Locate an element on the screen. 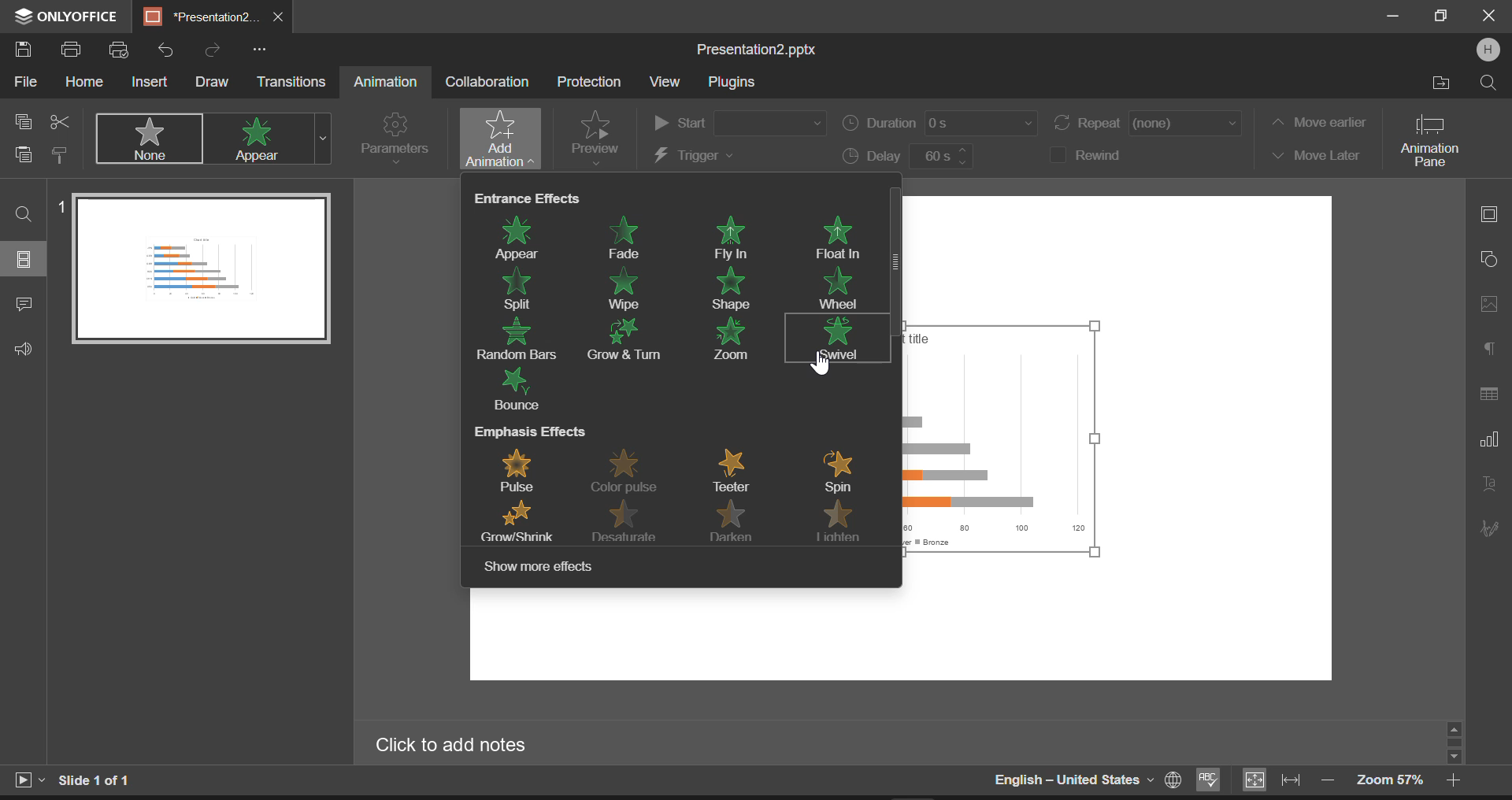 Image resolution: width=1512 pixels, height=800 pixels. Lighten is located at coordinates (842, 527).